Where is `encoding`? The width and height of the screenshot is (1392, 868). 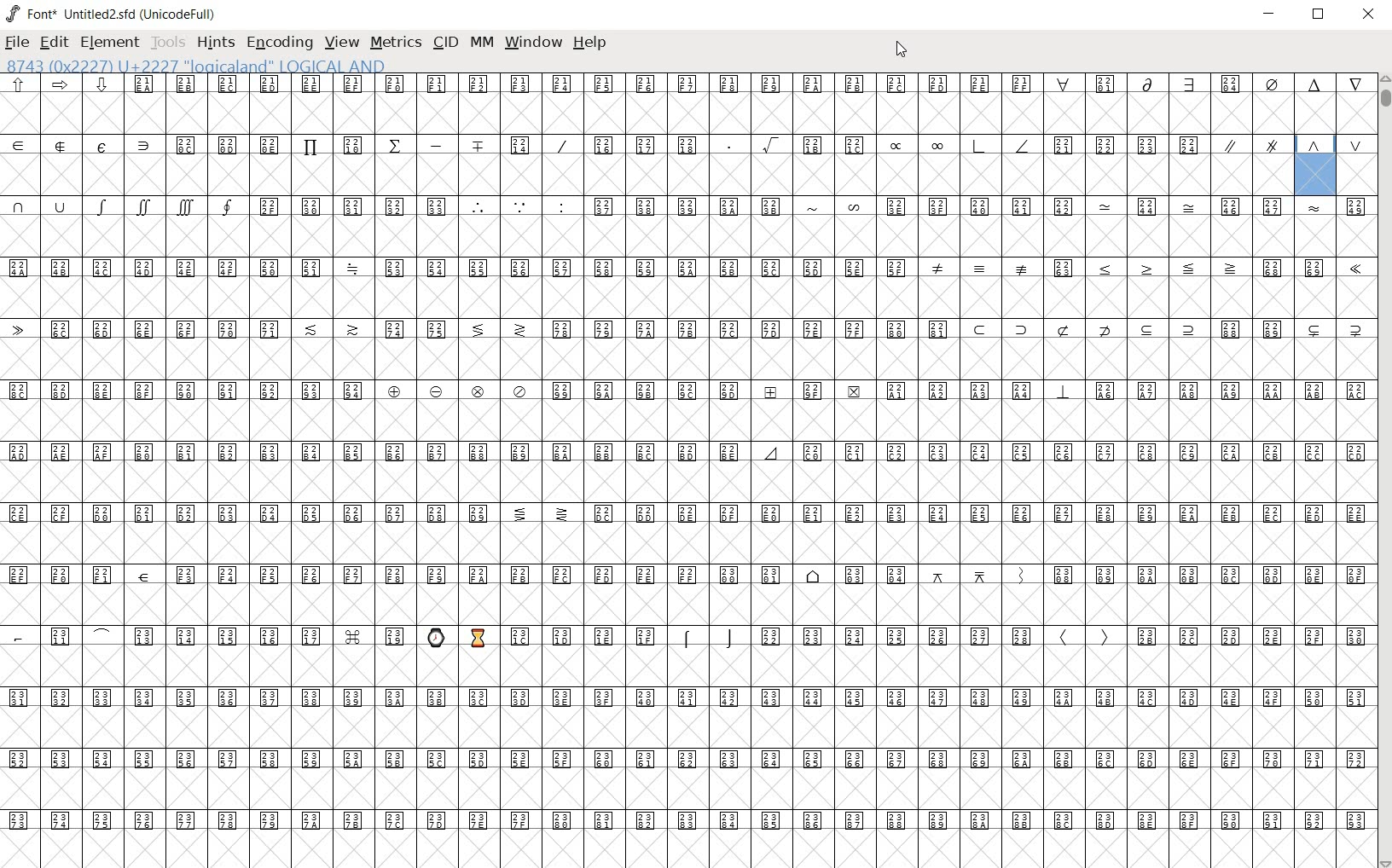
encoding is located at coordinates (281, 43).